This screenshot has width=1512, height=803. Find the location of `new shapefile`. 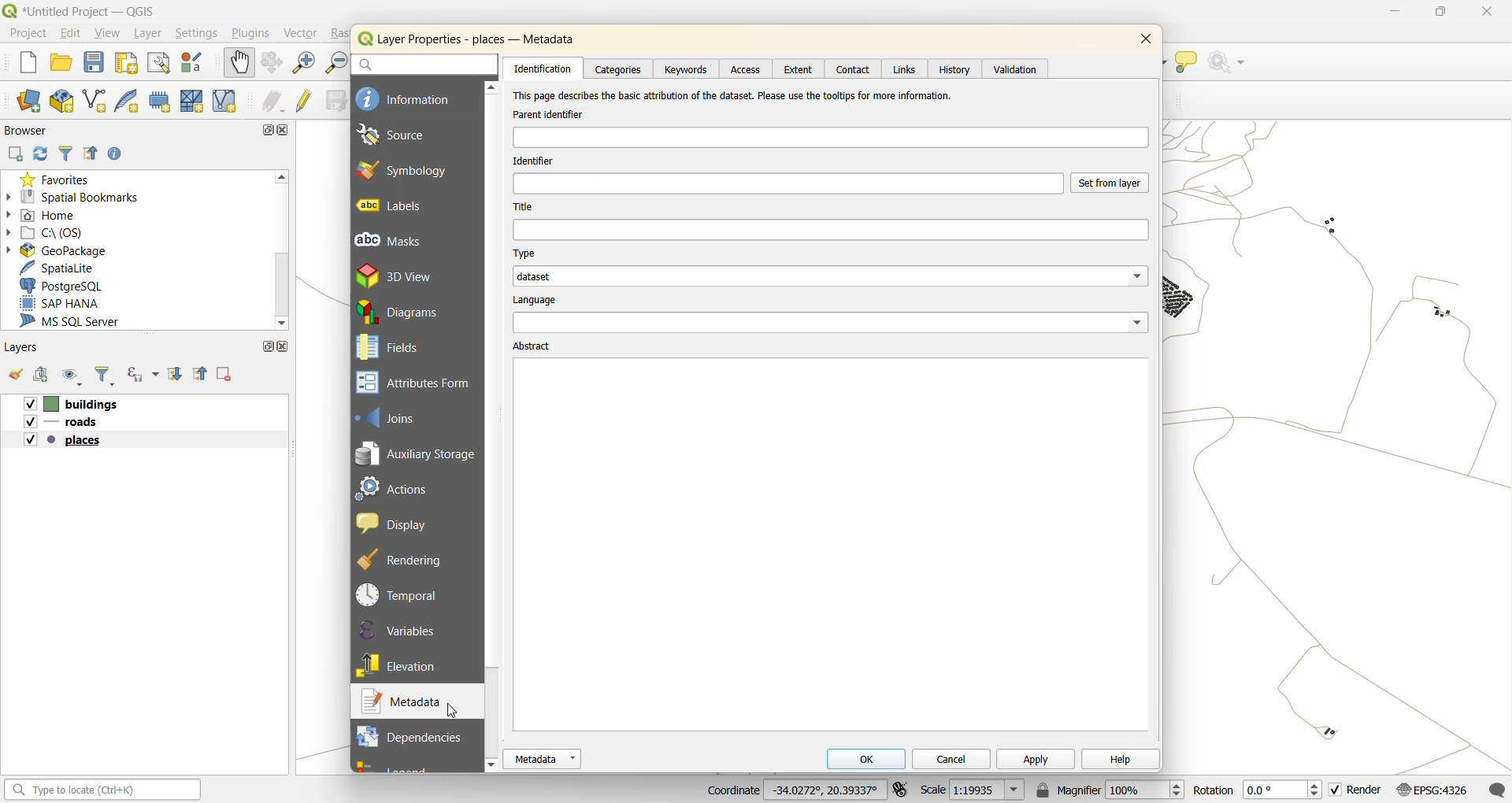

new shapefile is located at coordinates (98, 101).